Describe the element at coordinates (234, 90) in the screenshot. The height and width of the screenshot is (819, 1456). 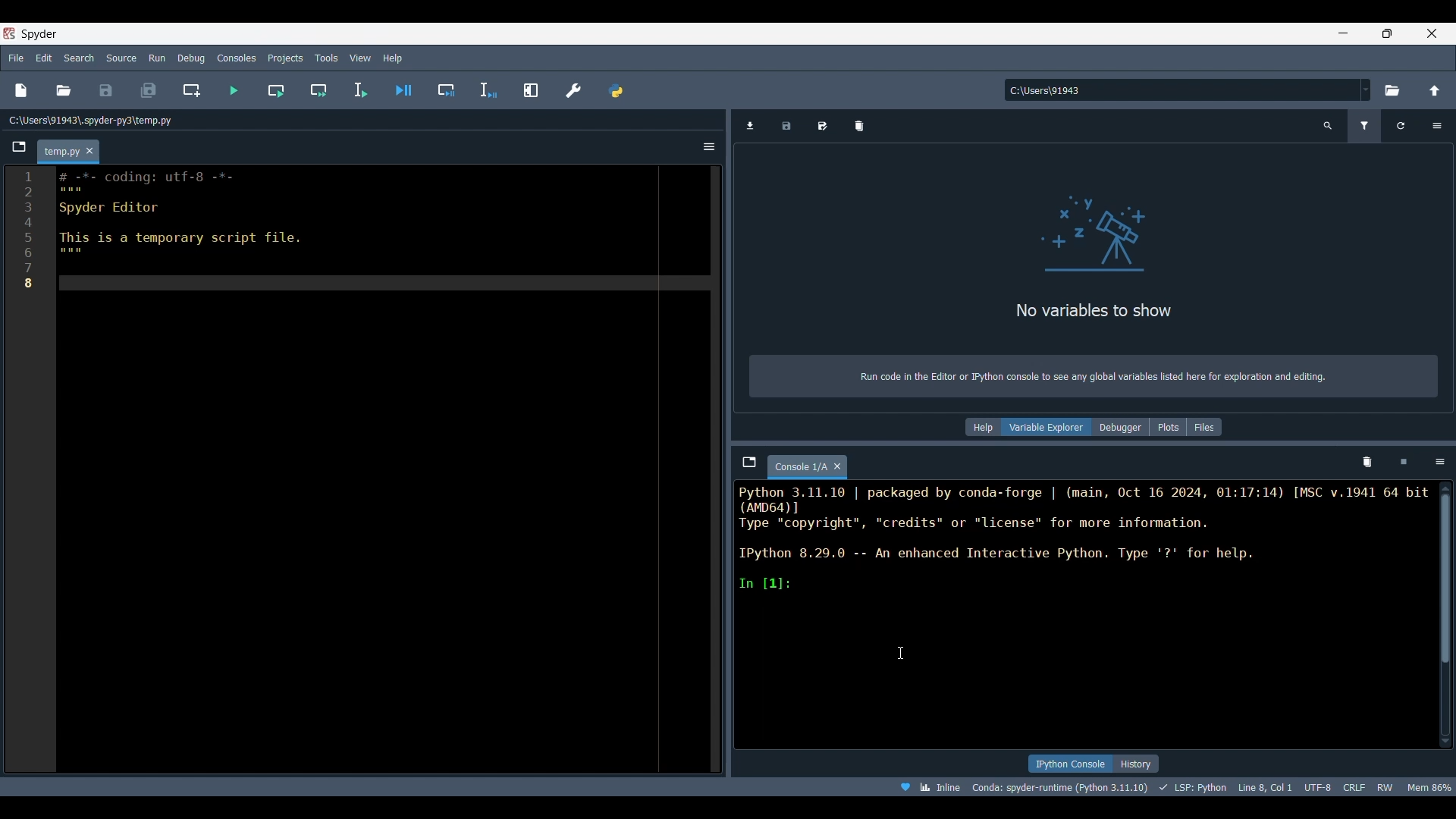
I see `Run file` at that location.